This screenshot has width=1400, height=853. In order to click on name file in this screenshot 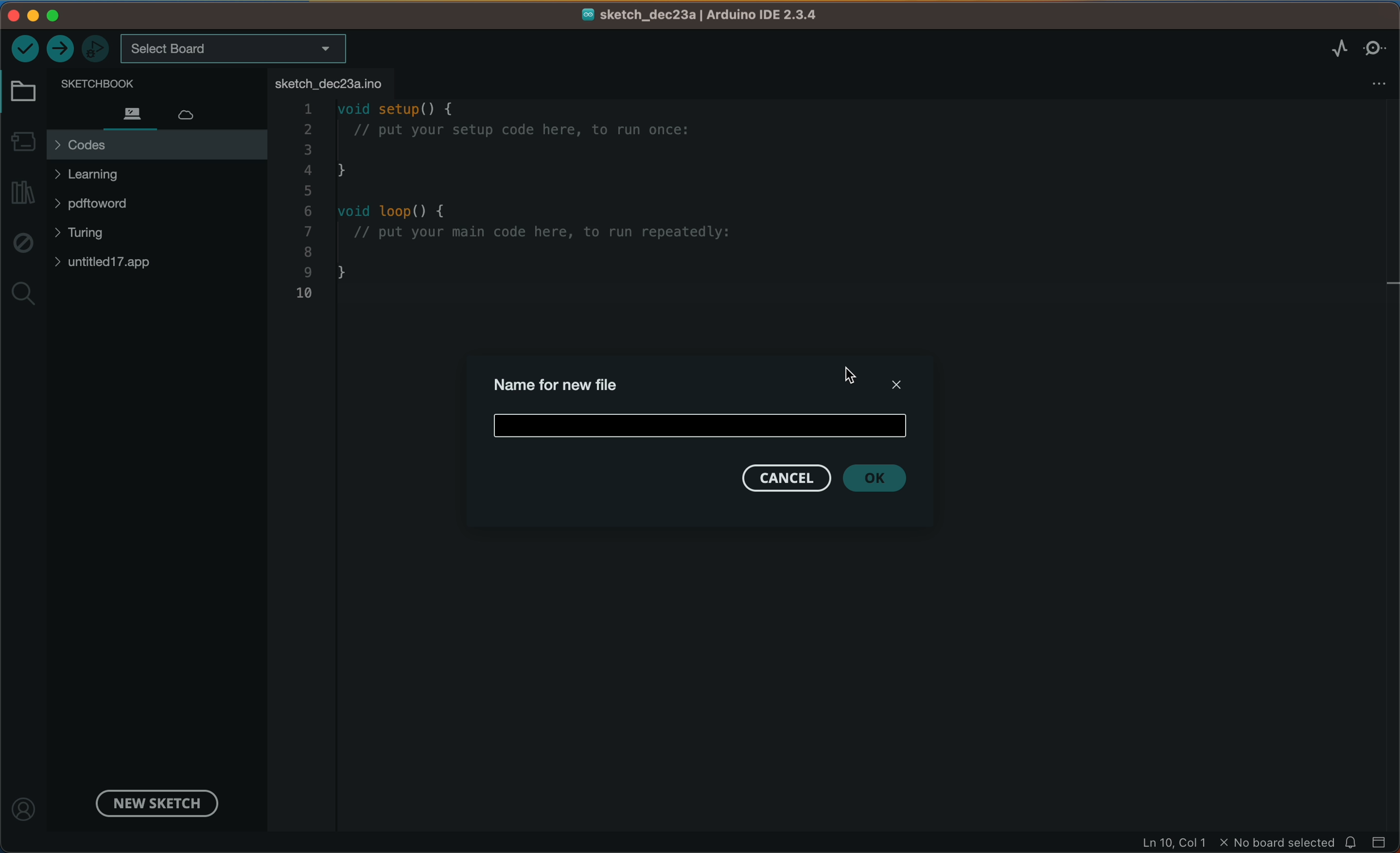, I will do `click(704, 423)`.